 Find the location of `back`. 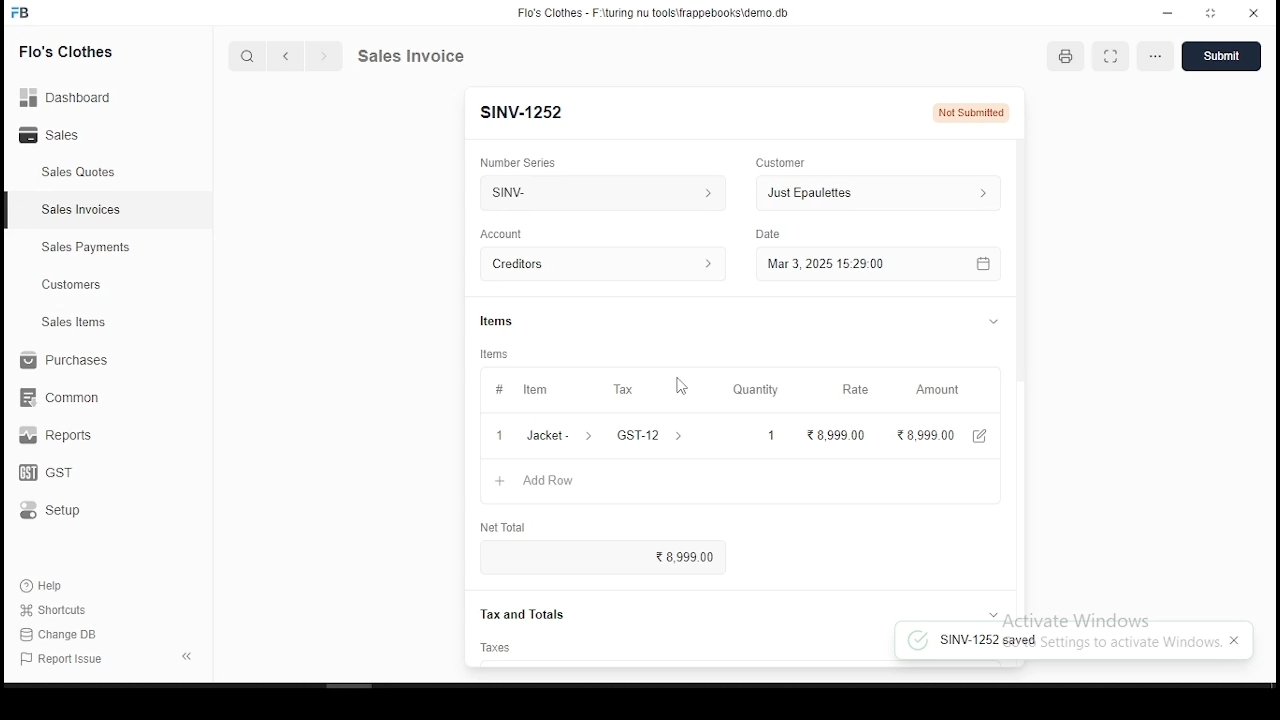

back is located at coordinates (283, 55).